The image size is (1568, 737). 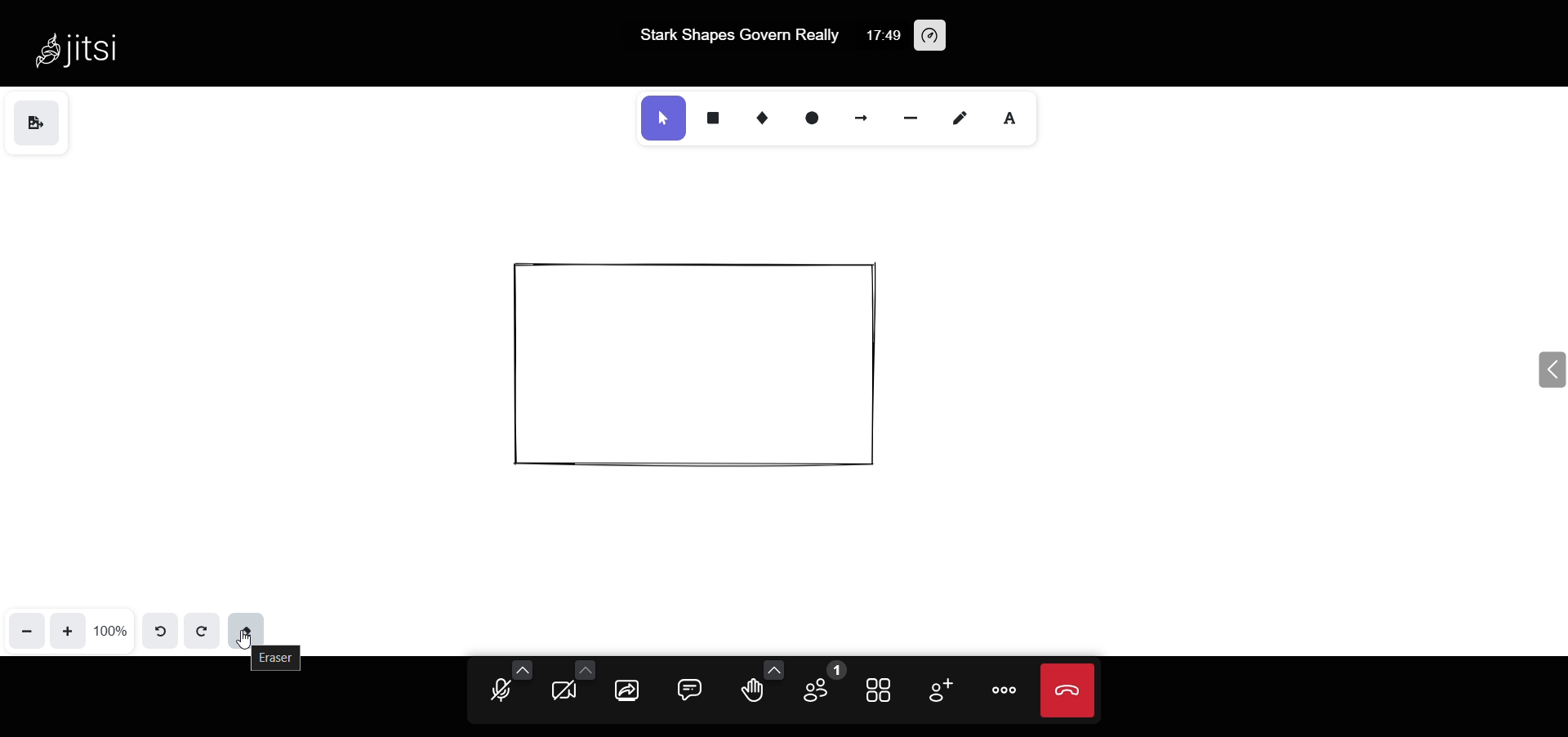 What do you see at coordinates (773, 669) in the screenshot?
I see `more emoji` at bounding box center [773, 669].